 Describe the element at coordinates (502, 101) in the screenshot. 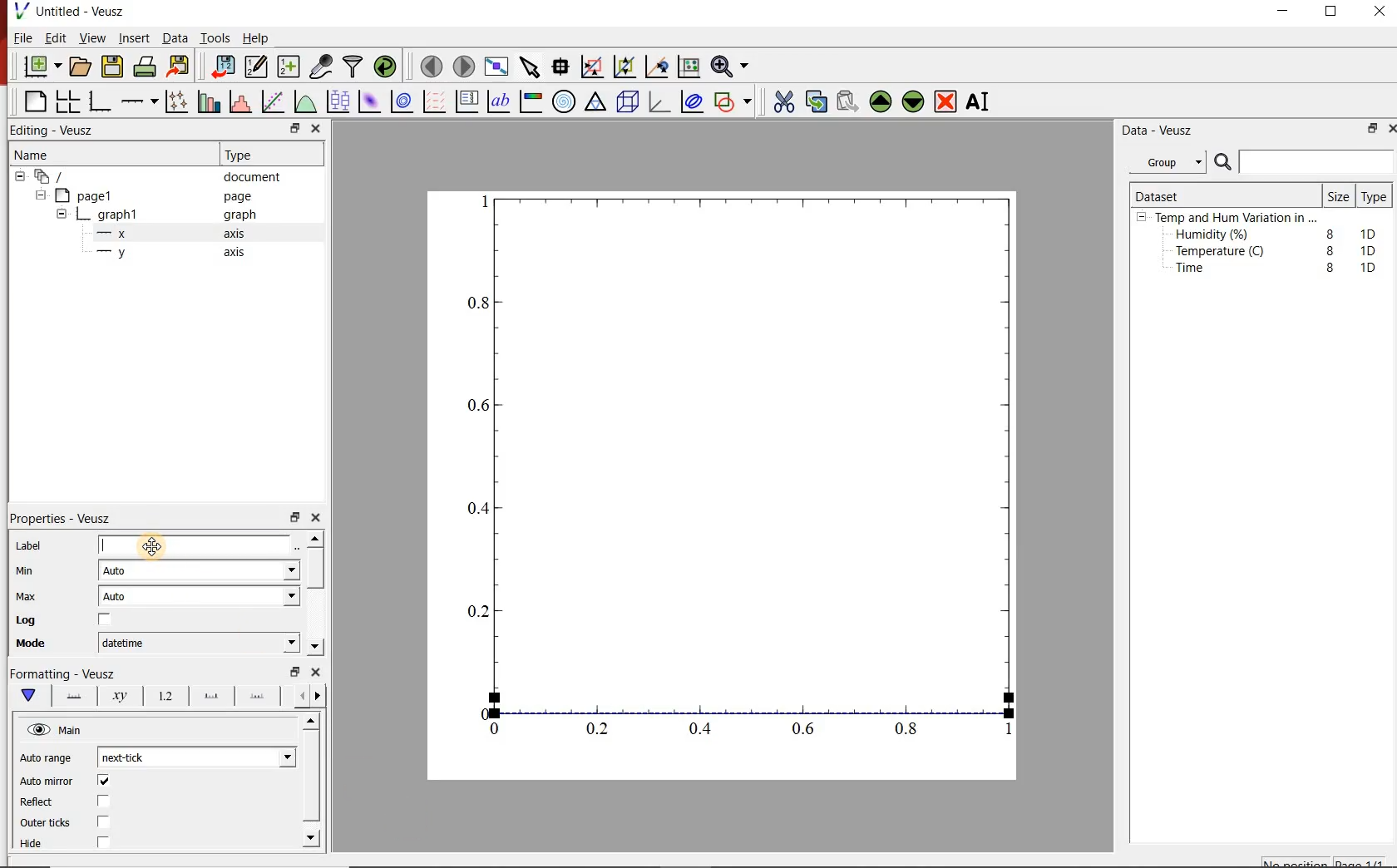

I see `text label` at that location.